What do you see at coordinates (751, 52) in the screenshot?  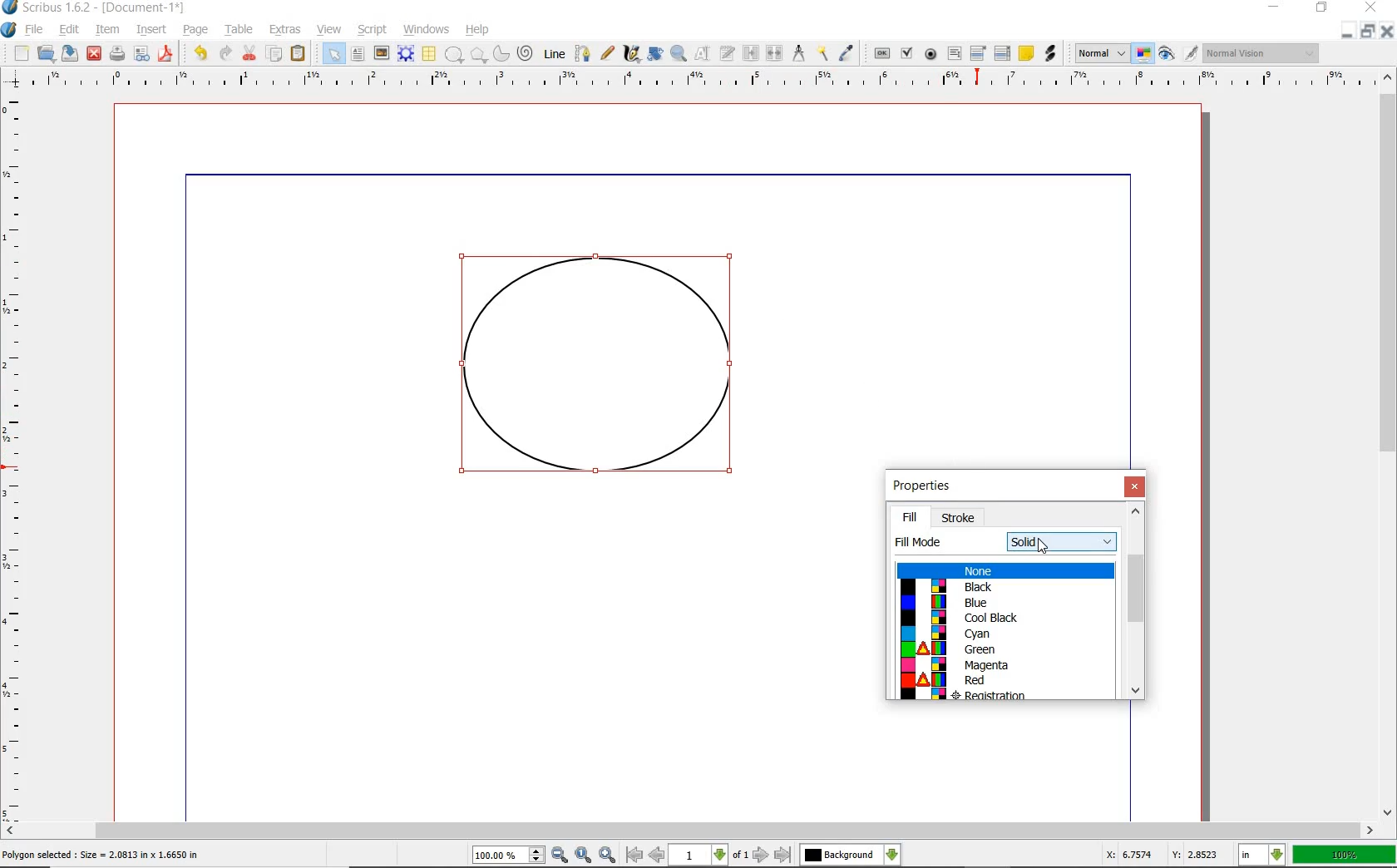 I see `LINK TEXT FRAME` at bounding box center [751, 52].